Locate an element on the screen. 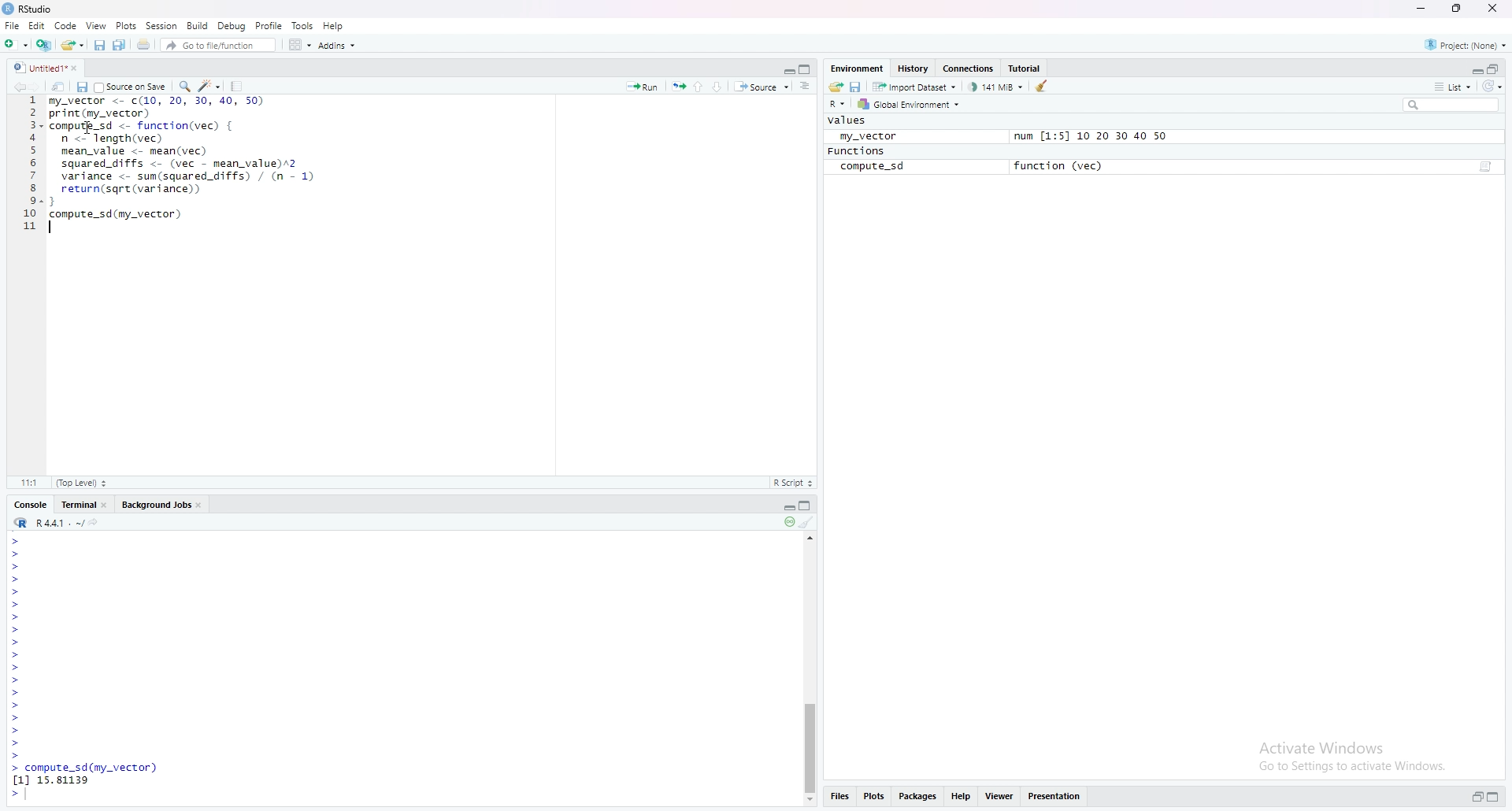 The image size is (1512, 811). Refresh the list of the objects in the environment is located at coordinates (1495, 87).